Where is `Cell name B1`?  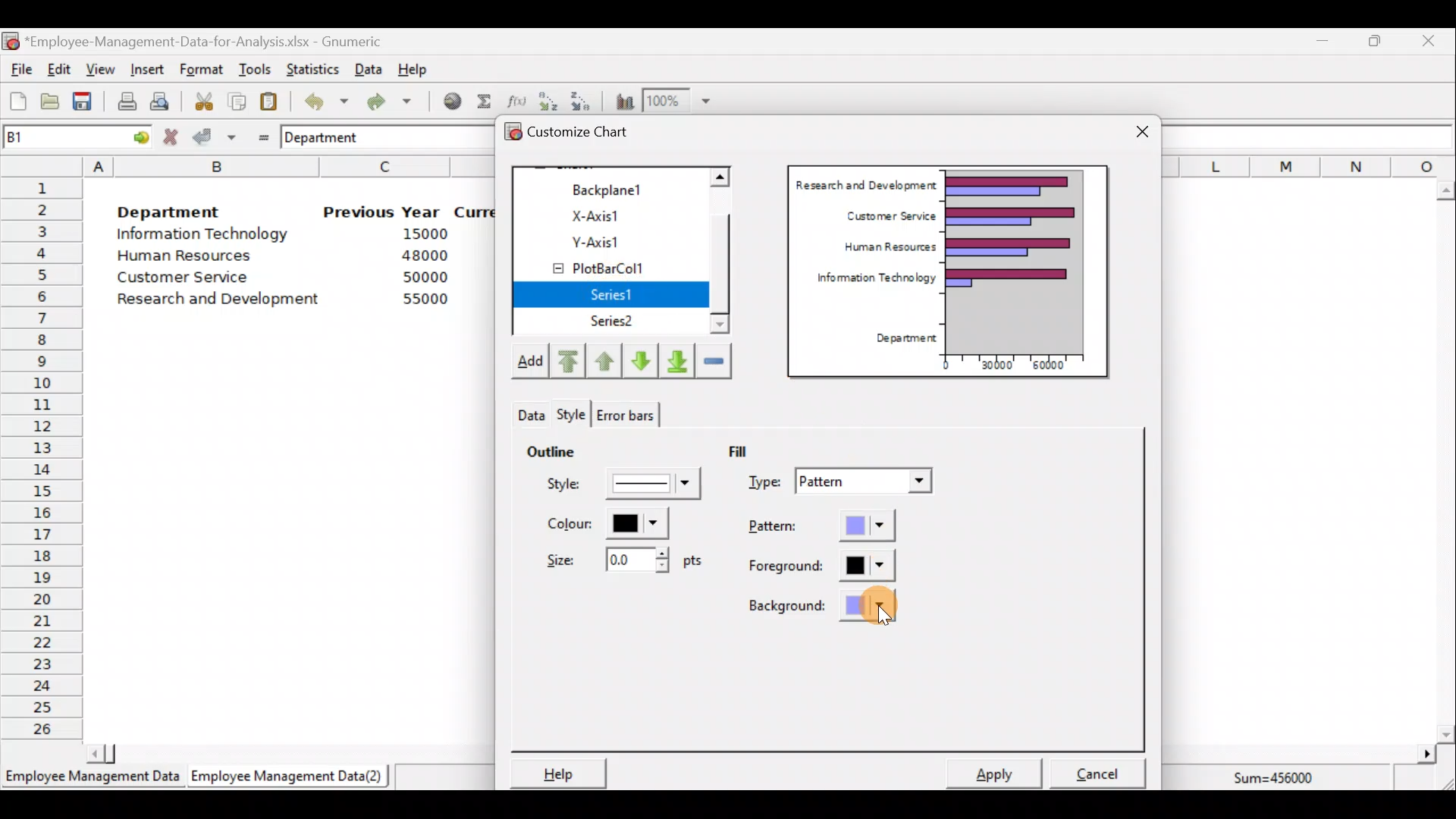
Cell name B1 is located at coordinates (50, 136).